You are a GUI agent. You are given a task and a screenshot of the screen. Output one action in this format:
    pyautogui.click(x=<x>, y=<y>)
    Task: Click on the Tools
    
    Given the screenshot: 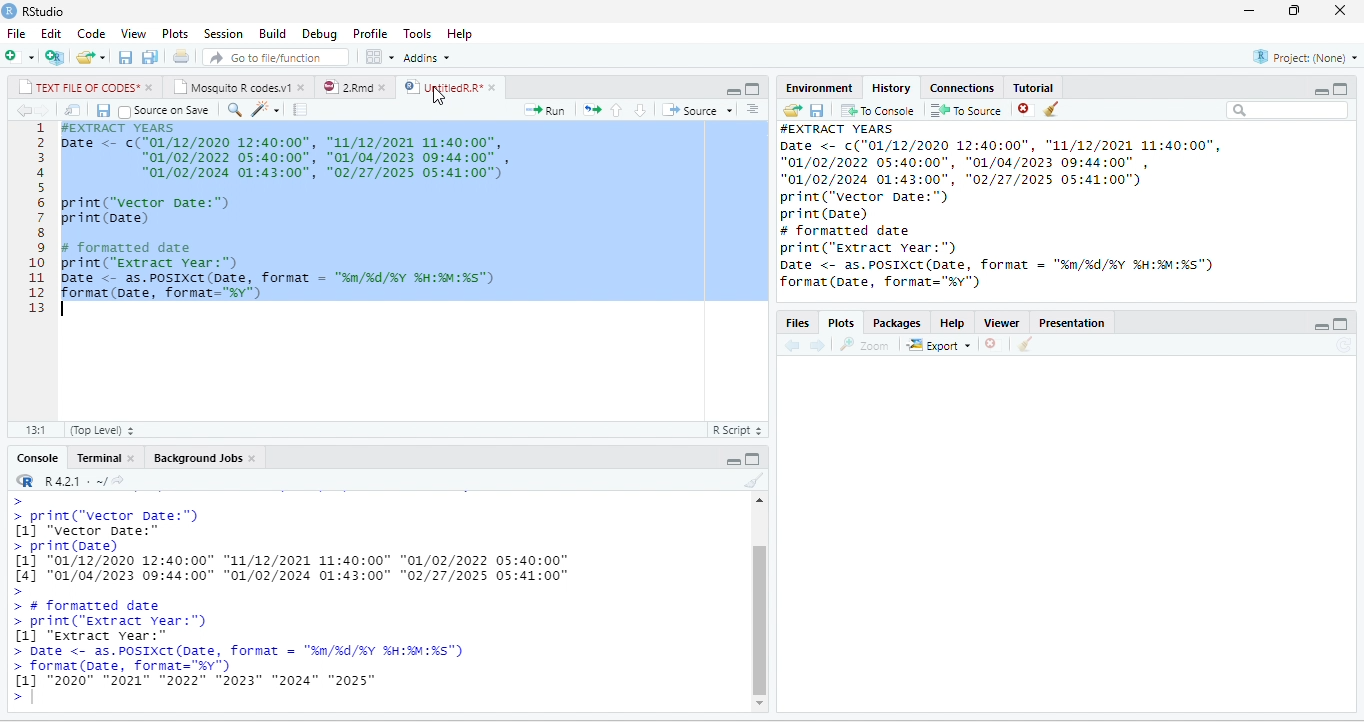 What is the action you would take?
    pyautogui.click(x=419, y=34)
    